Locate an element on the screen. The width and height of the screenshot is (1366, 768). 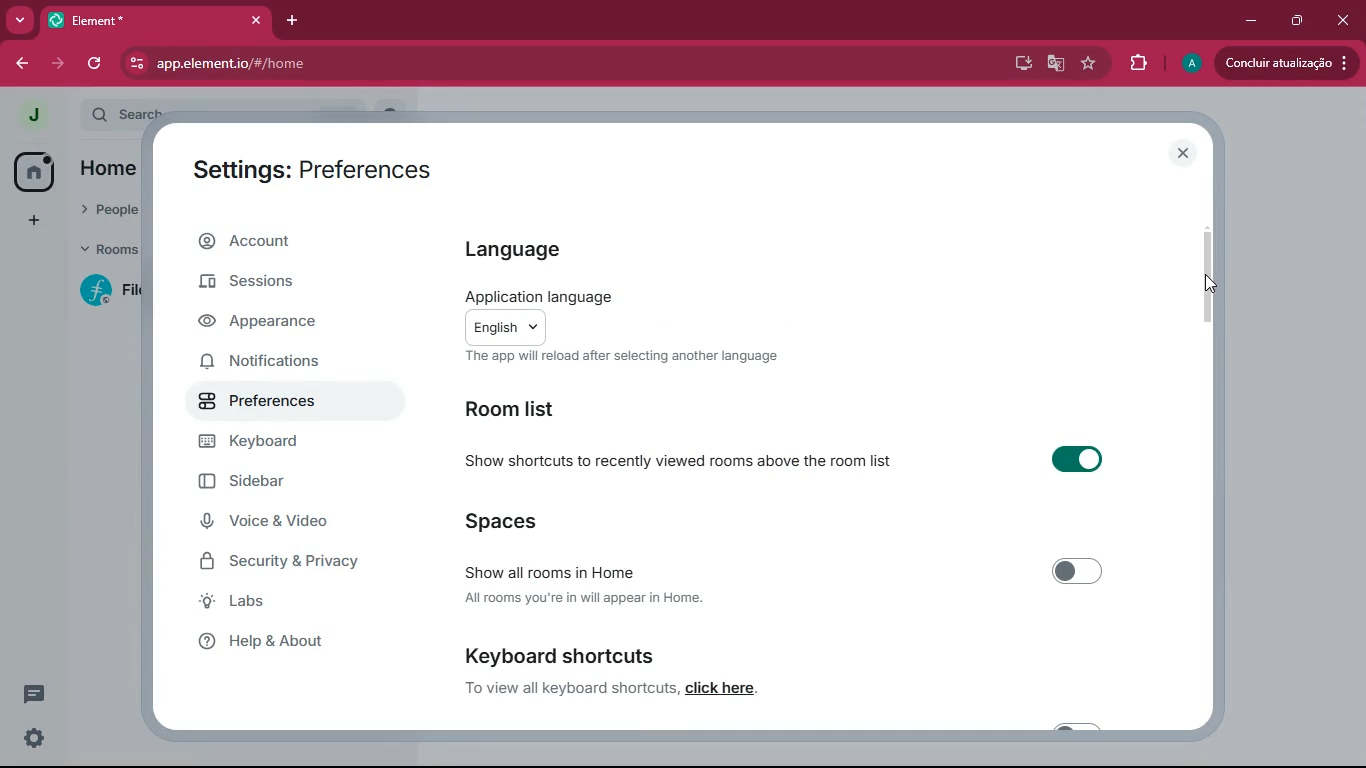
filecoin lotus implementation is located at coordinates (107, 290).